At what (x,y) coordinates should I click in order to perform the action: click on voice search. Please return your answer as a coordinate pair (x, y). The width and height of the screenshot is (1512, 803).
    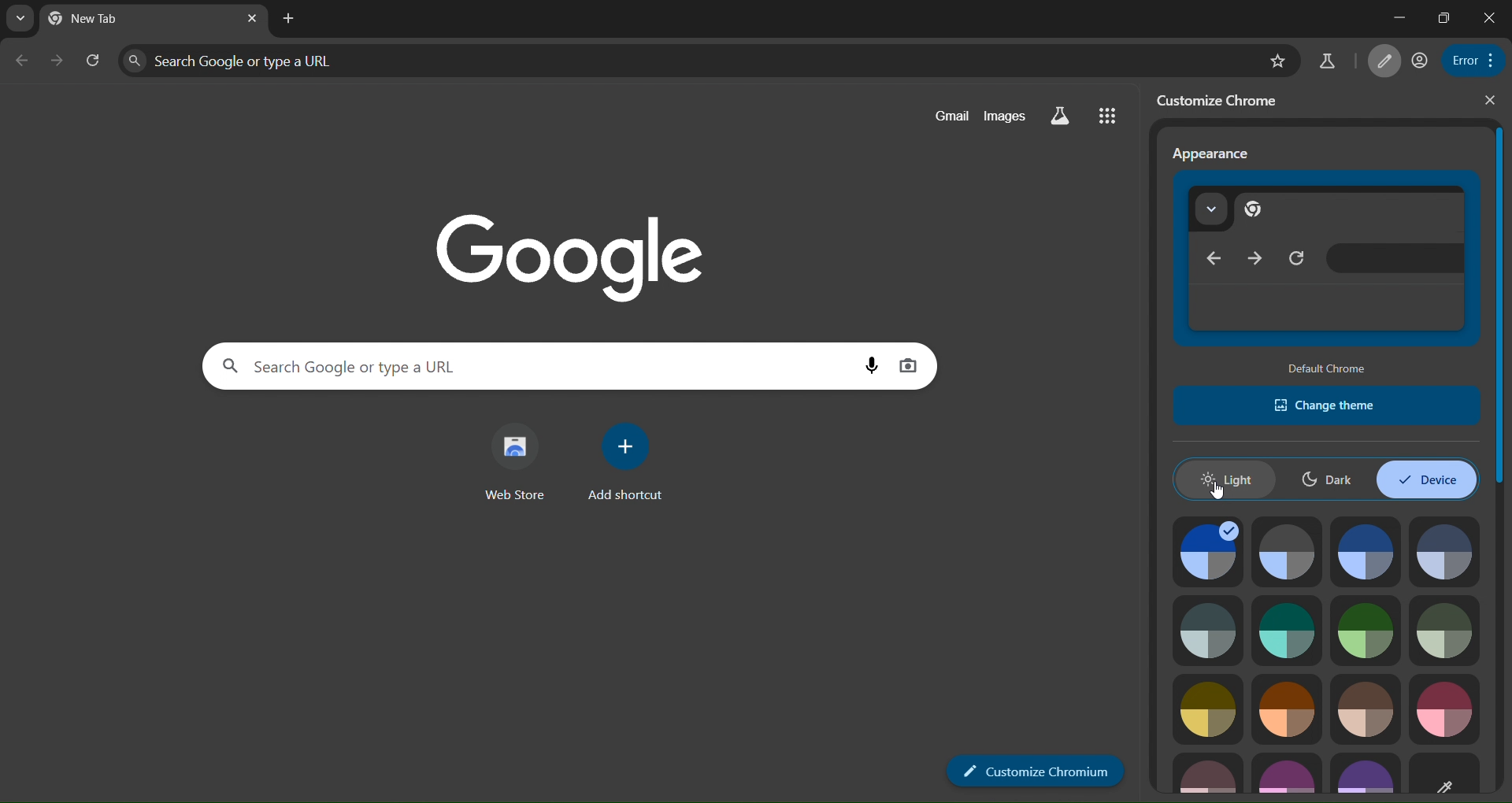
    Looking at the image, I should click on (875, 364).